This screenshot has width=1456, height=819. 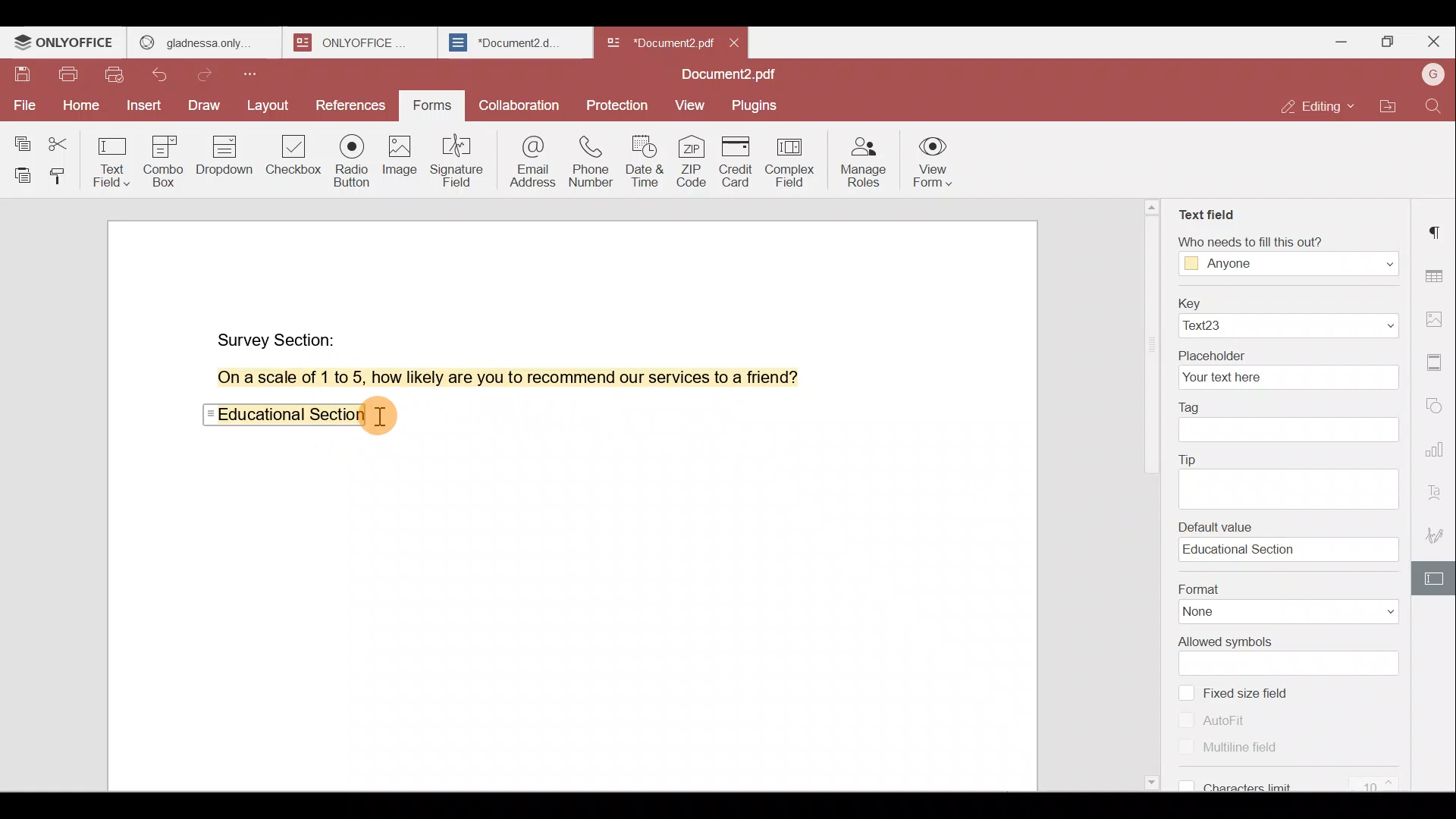 What do you see at coordinates (398, 159) in the screenshot?
I see `Image` at bounding box center [398, 159].